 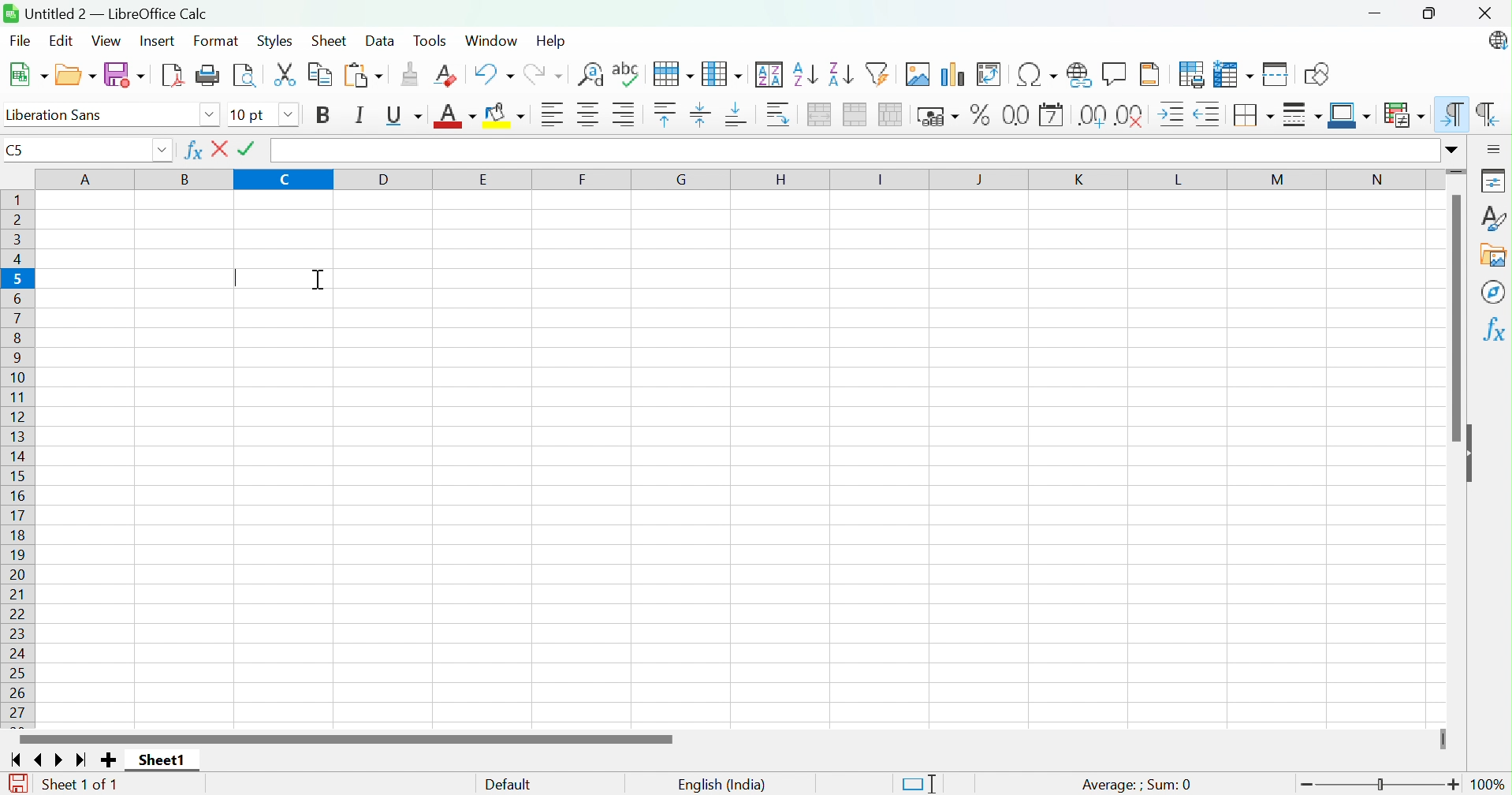 What do you see at coordinates (675, 75) in the screenshot?
I see `Spelling` at bounding box center [675, 75].